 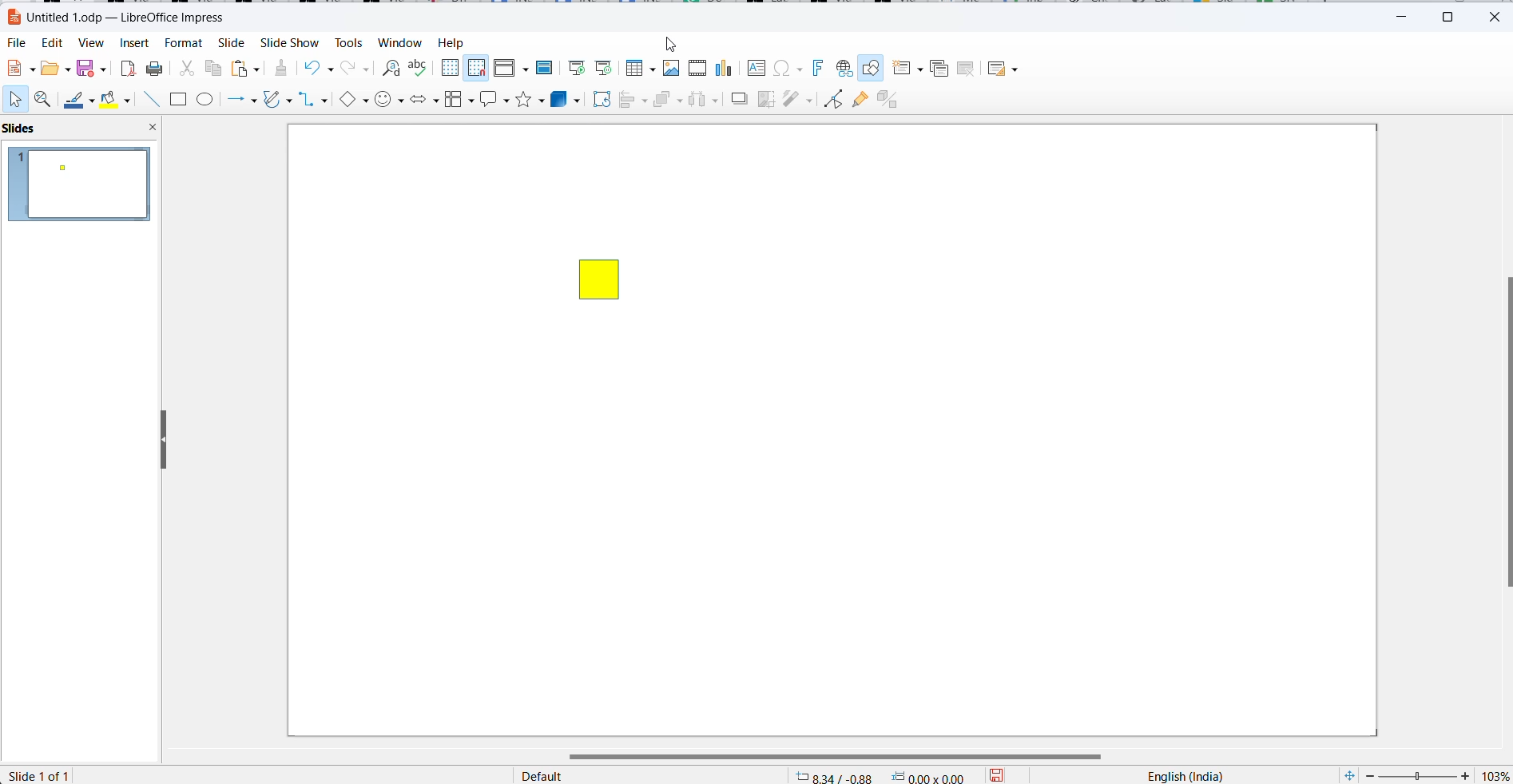 I want to click on Display grid, so click(x=450, y=66).